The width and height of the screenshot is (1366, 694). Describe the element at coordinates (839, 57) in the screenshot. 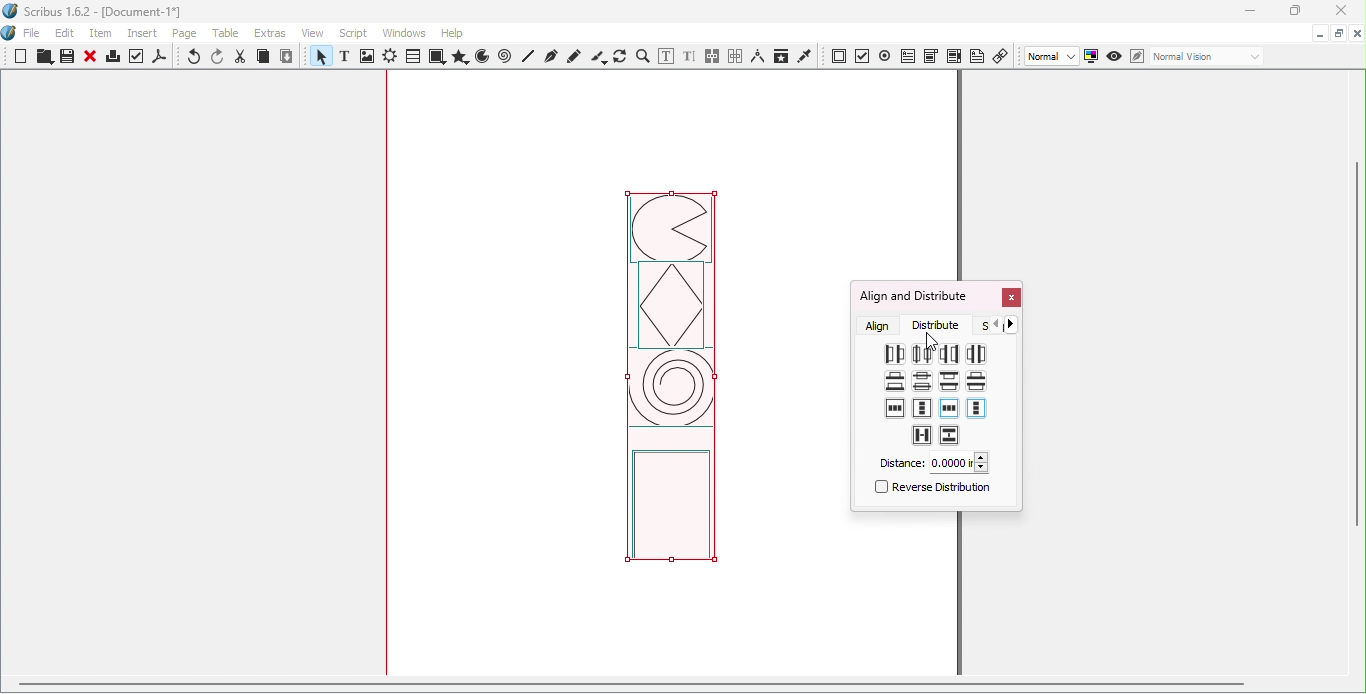

I see `PDF push button` at that location.